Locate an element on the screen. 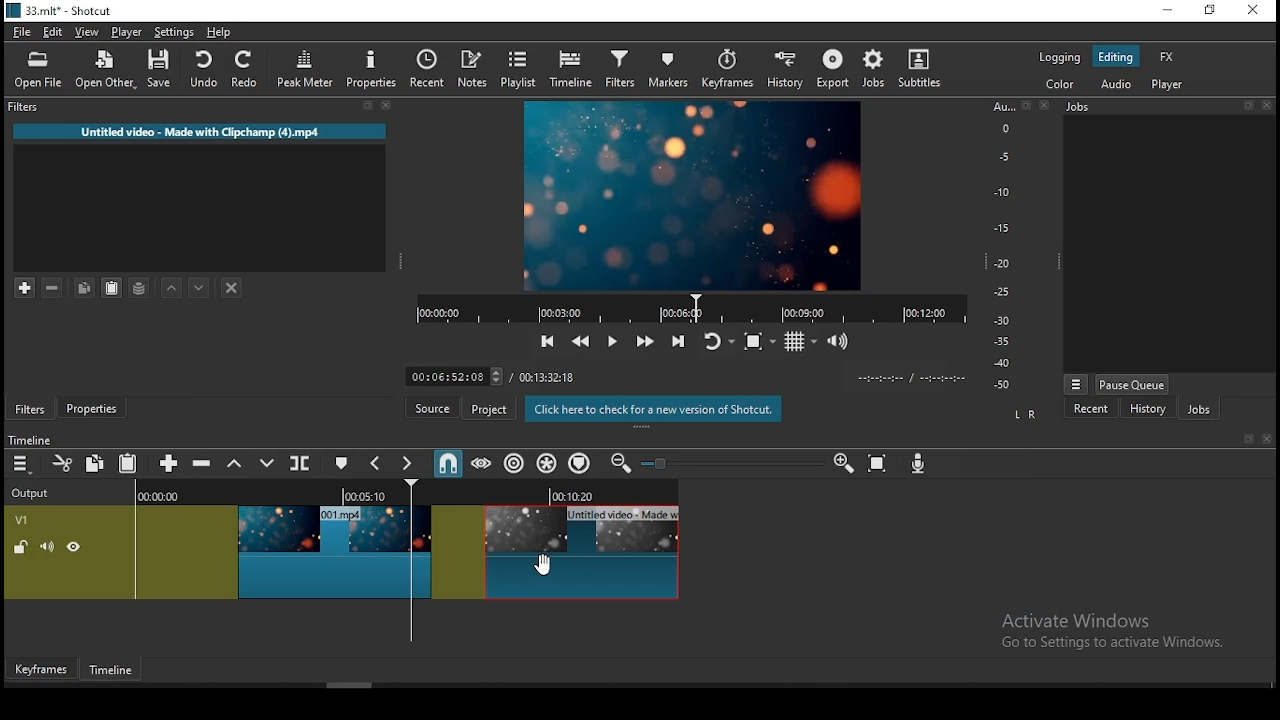 This screenshot has width=1280, height=720. redo is located at coordinates (248, 72).